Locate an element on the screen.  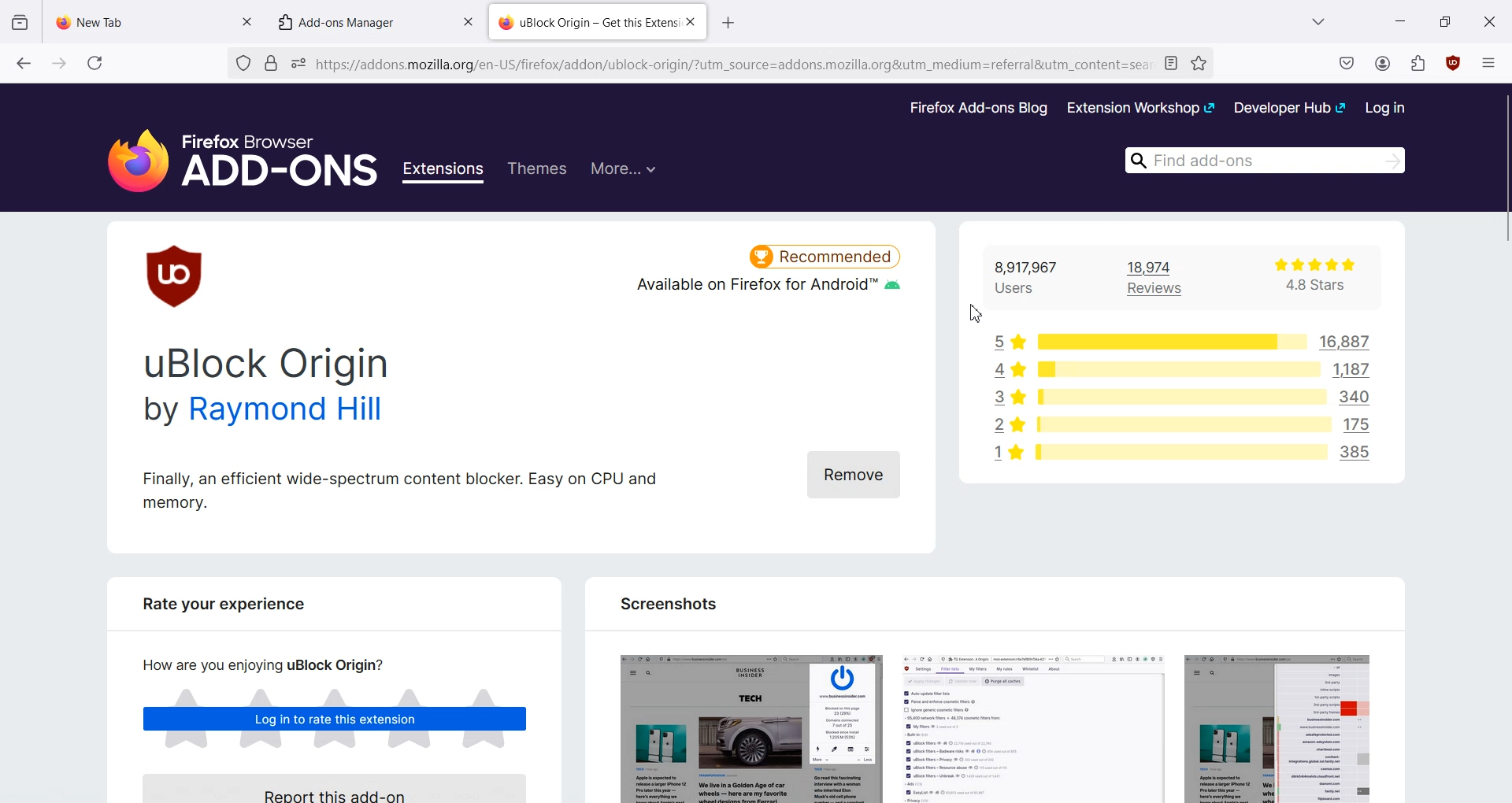
screenshots is located at coordinates (992, 722).